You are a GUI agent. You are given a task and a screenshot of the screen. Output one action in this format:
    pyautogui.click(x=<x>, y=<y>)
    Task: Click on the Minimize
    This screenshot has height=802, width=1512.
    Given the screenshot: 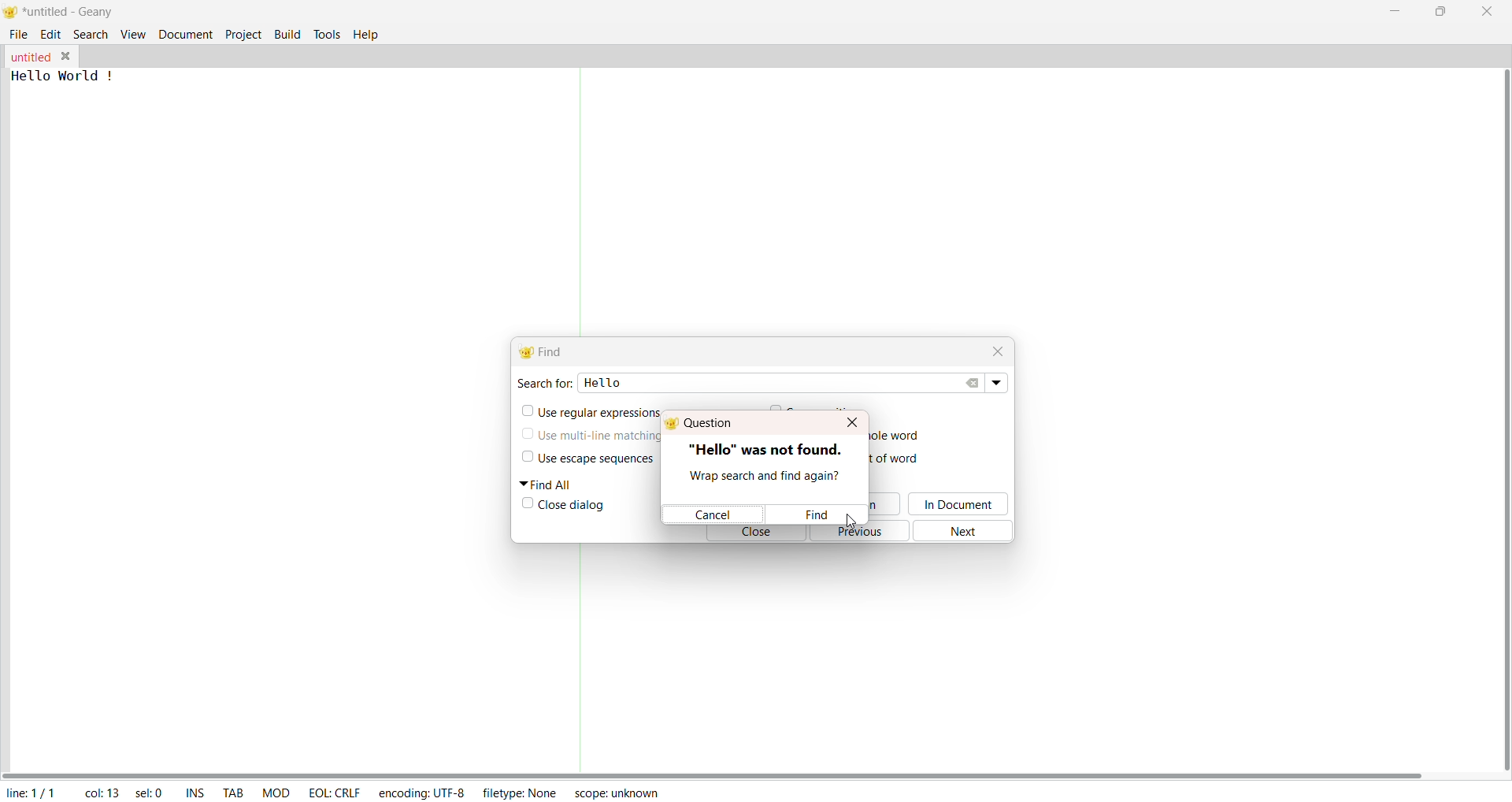 What is the action you would take?
    pyautogui.click(x=1391, y=12)
    